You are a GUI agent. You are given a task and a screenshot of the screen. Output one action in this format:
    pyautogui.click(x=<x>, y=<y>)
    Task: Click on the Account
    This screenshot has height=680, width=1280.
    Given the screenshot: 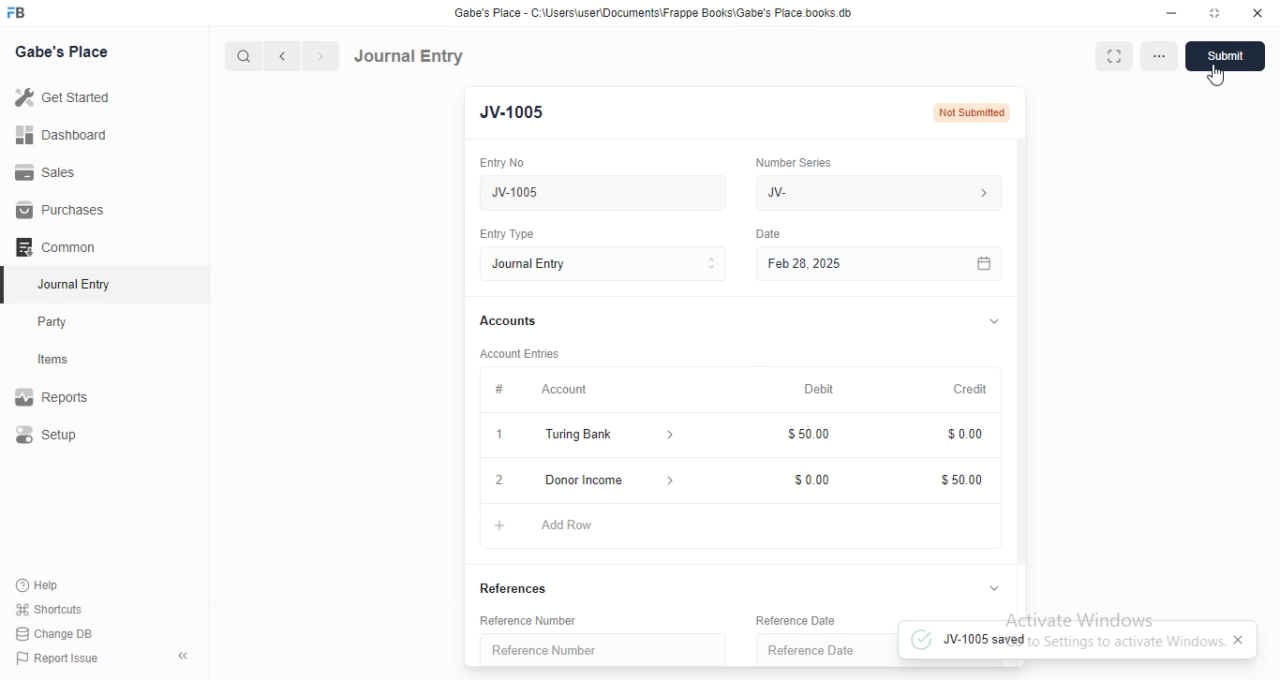 What is the action you would take?
    pyautogui.click(x=549, y=391)
    